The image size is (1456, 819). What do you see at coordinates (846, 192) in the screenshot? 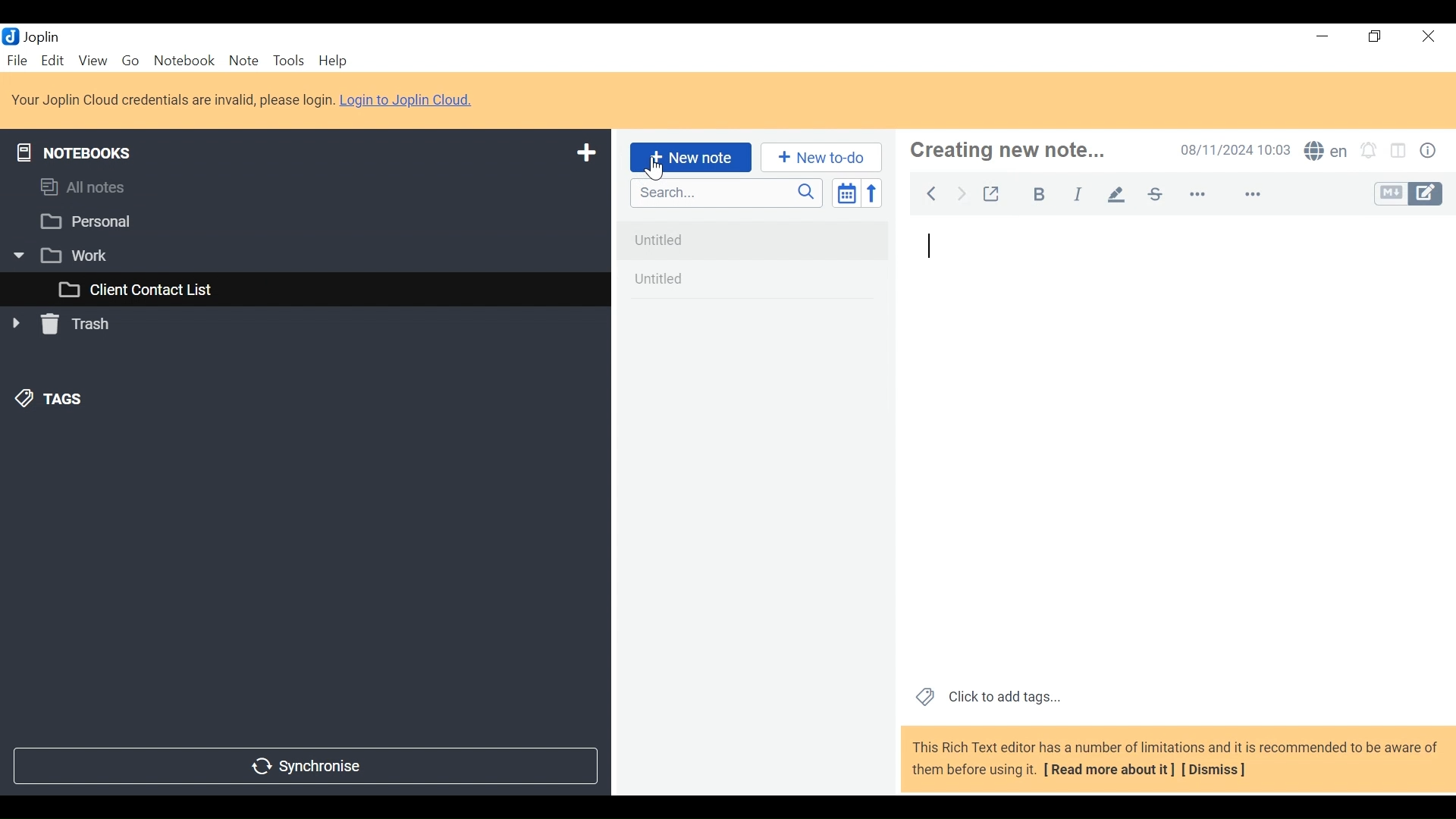
I see `Toggle sort order field` at bounding box center [846, 192].